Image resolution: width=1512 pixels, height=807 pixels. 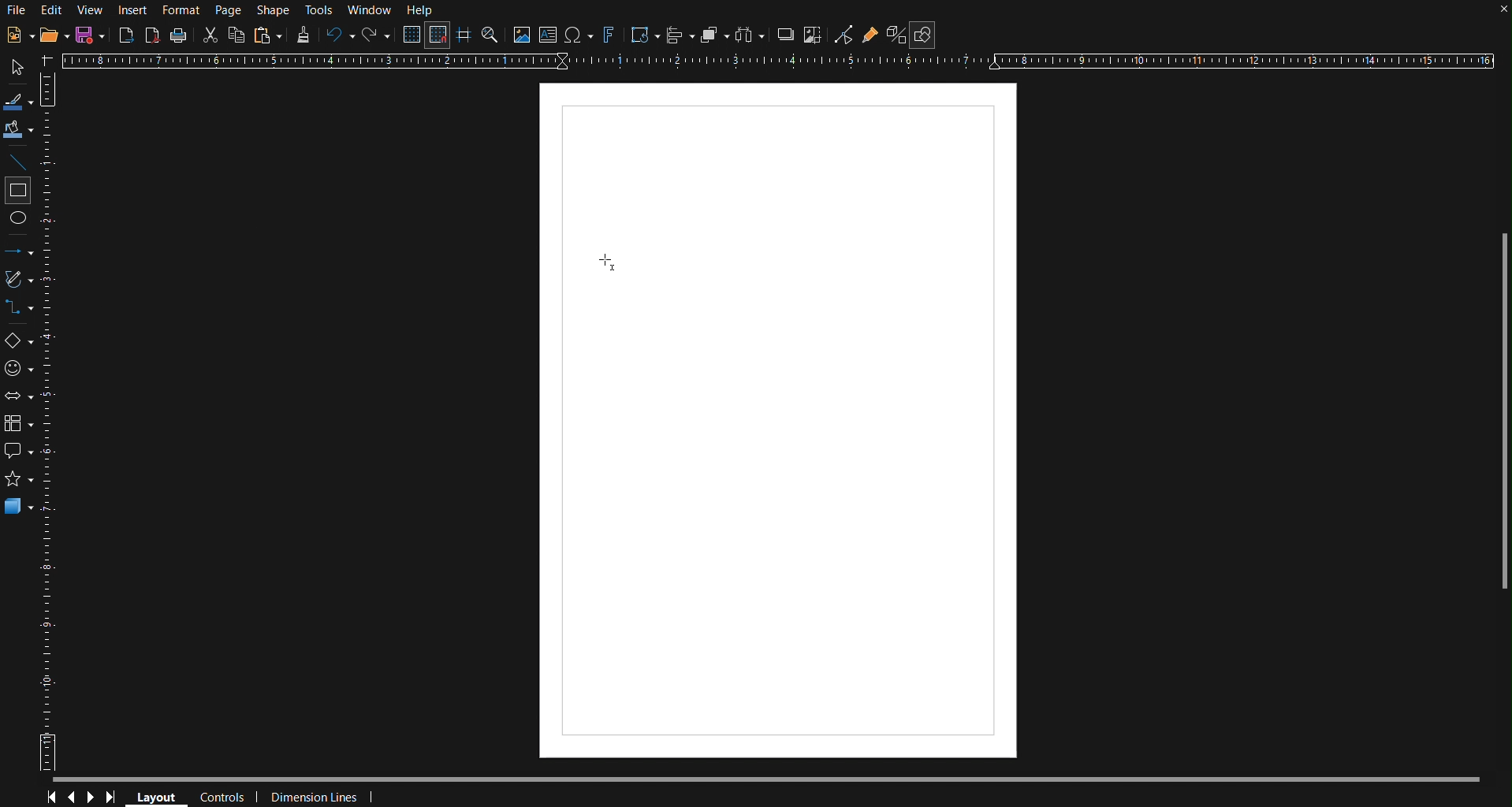 I want to click on Formatting, so click(x=302, y=35).